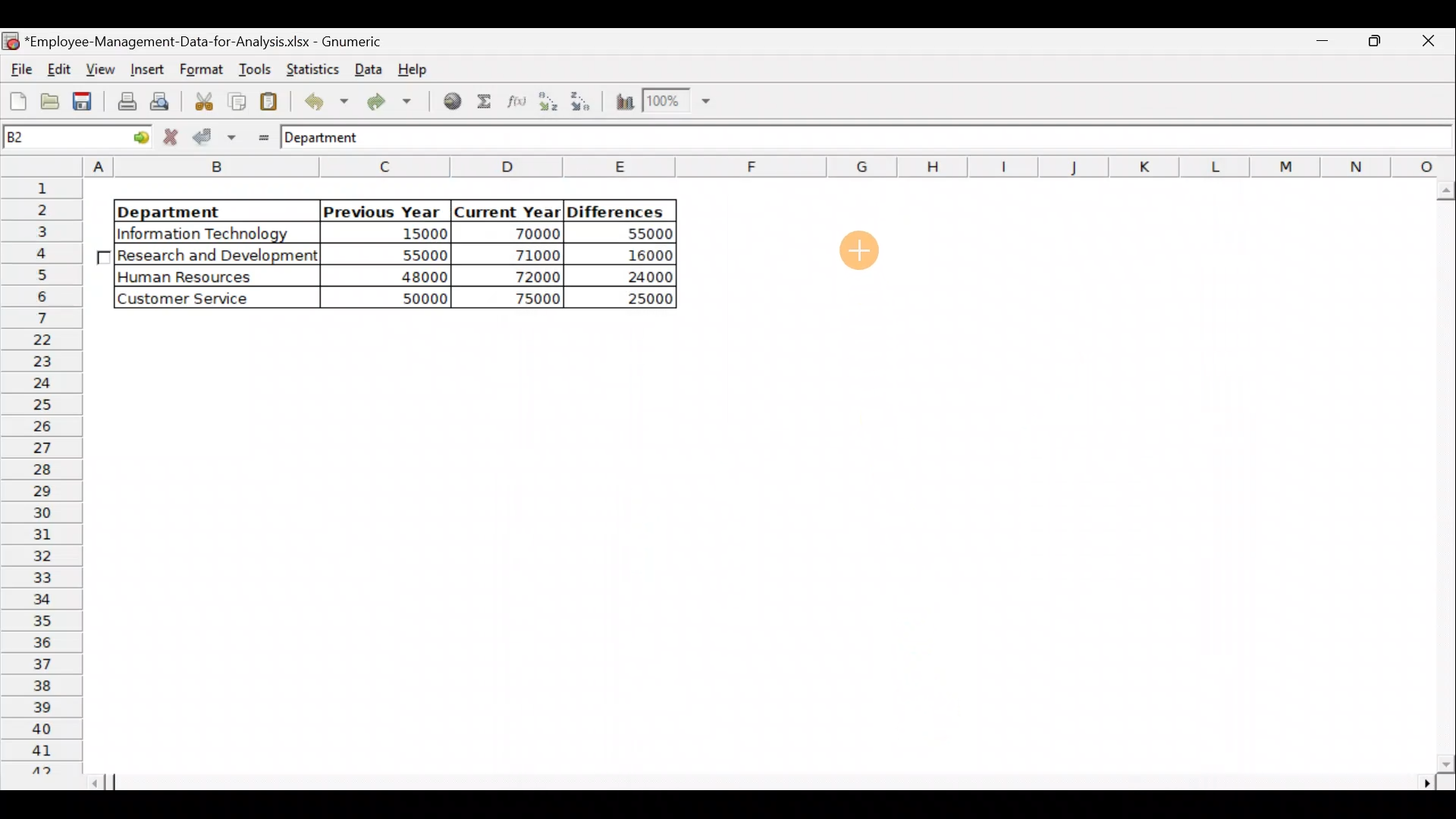 The height and width of the screenshot is (819, 1456). What do you see at coordinates (51, 139) in the screenshot?
I see `Cell name B2` at bounding box center [51, 139].